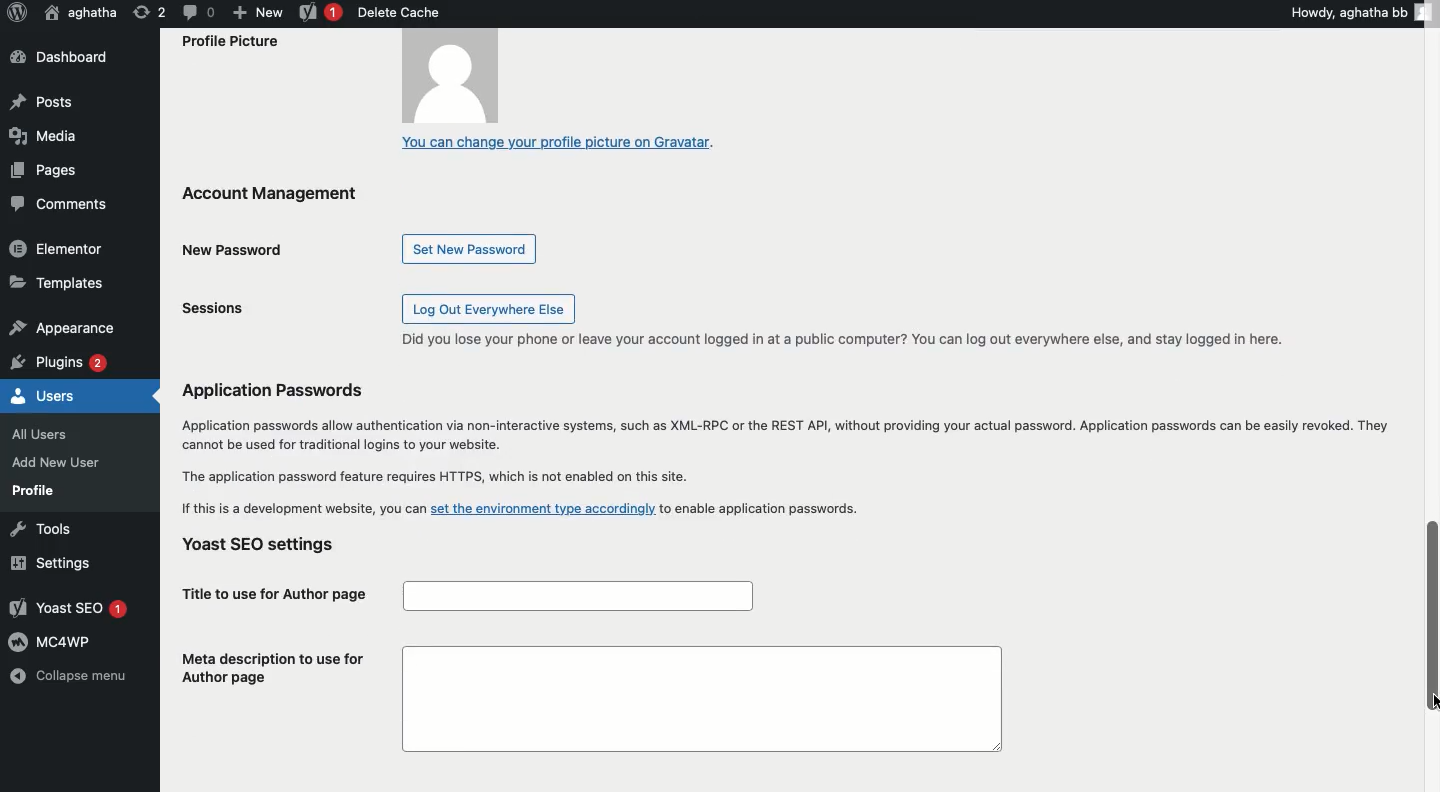  I want to click on Comments, so click(60, 205).